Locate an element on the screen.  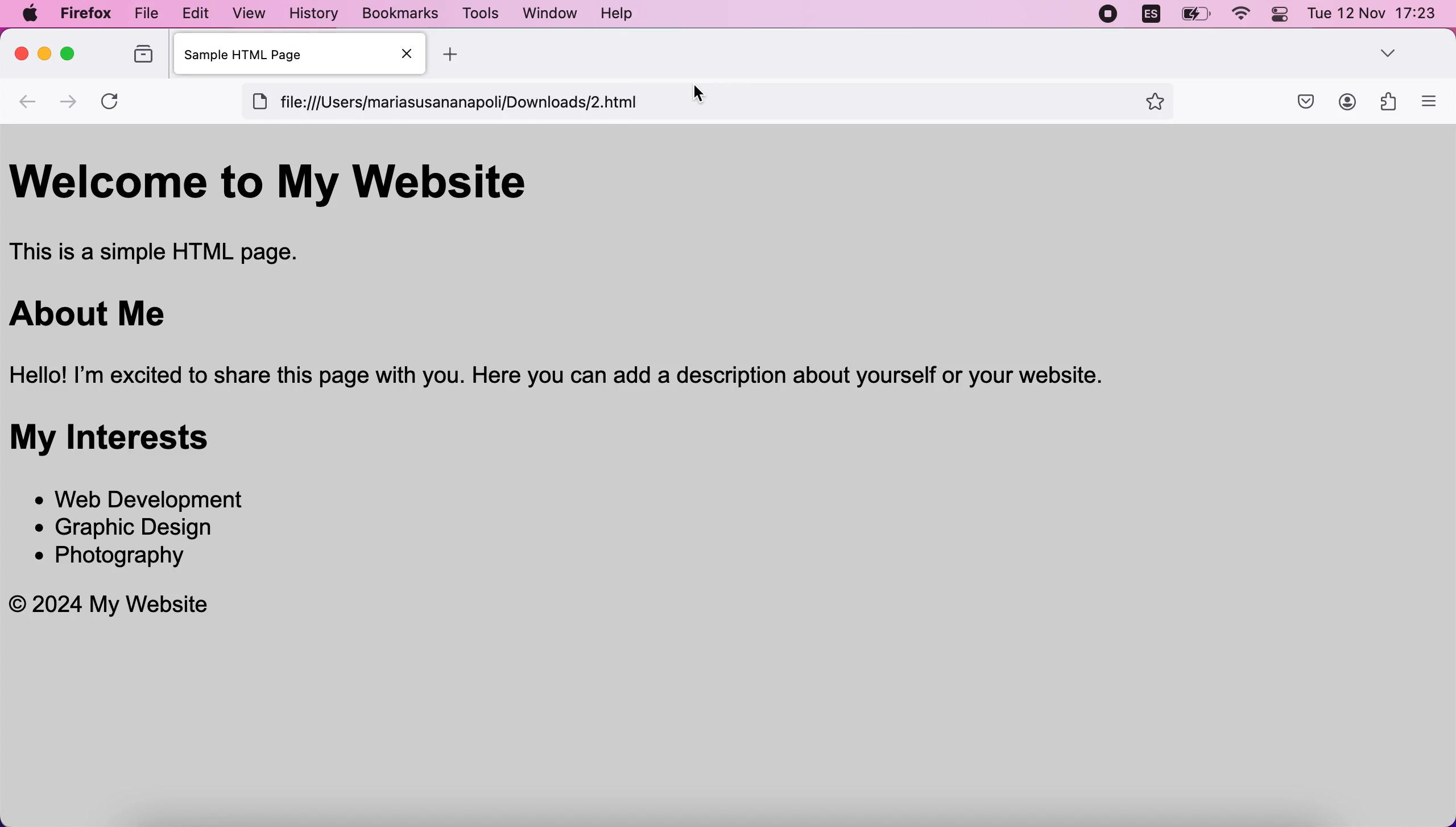
view is located at coordinates (248, 15).